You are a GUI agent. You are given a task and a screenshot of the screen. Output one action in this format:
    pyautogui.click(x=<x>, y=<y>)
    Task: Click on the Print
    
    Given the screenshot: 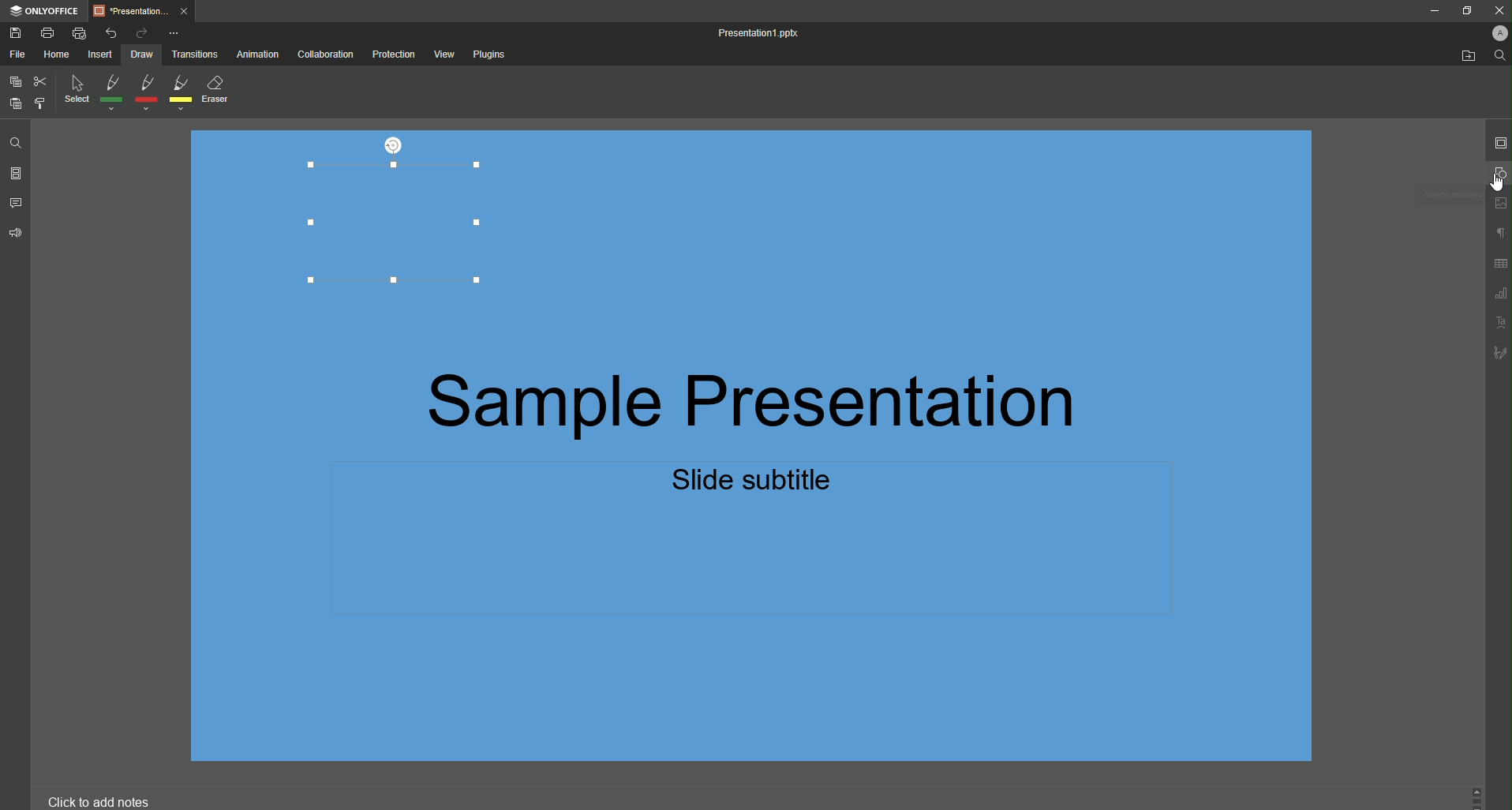 What is the action you would take?
    pyautogui.click(x=52, y=33)
    